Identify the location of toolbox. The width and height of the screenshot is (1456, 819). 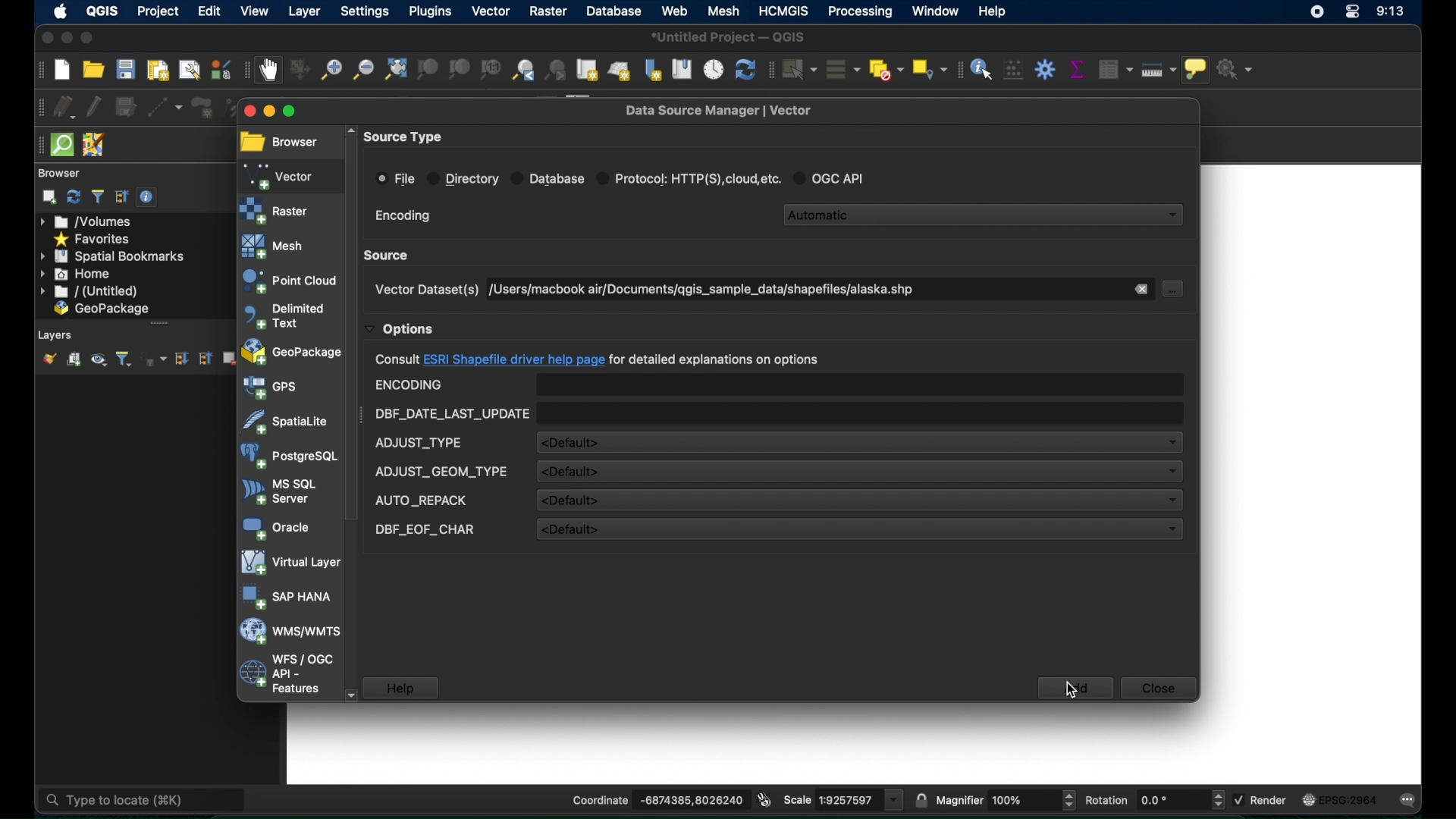
(1045, 67).